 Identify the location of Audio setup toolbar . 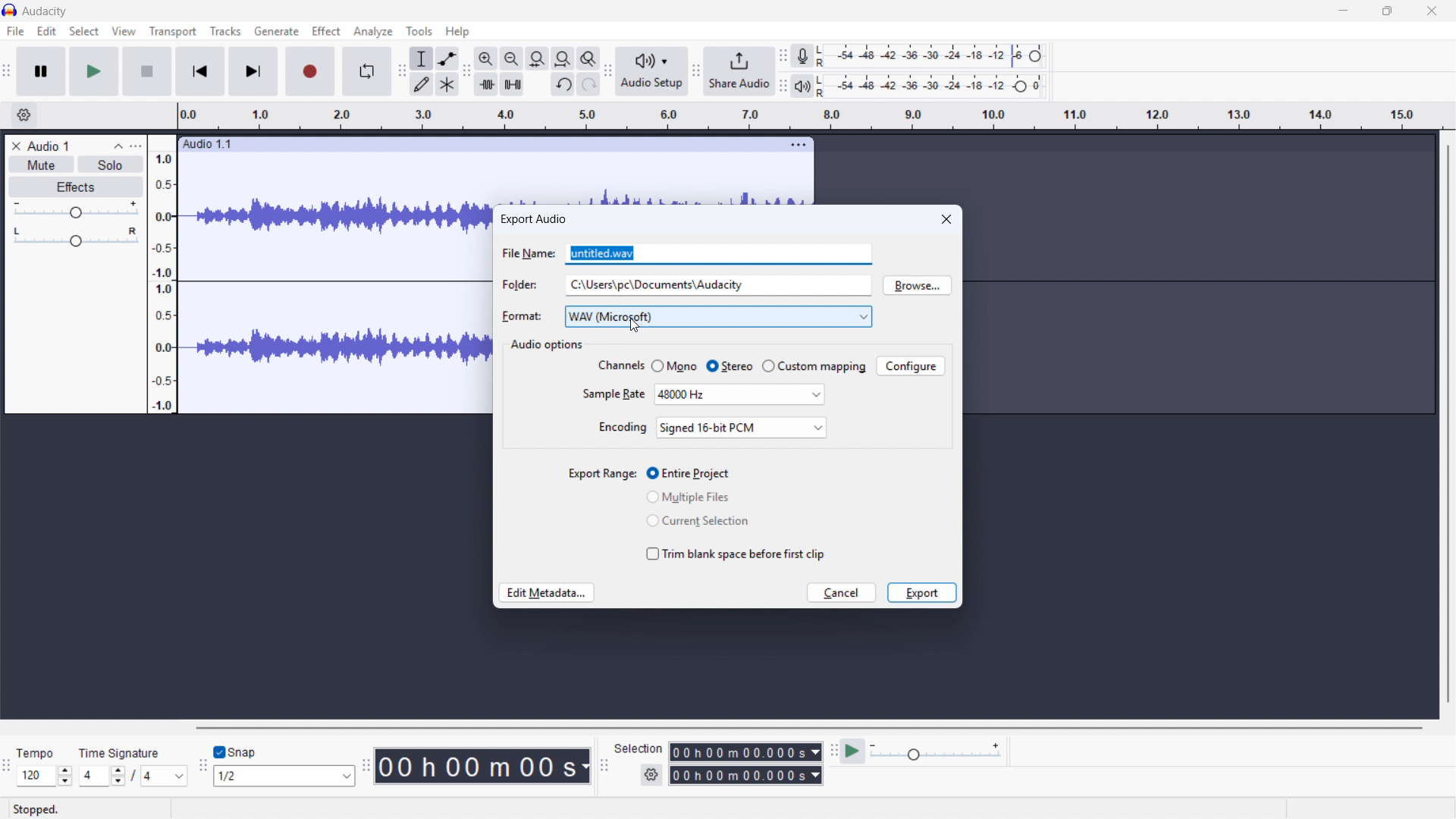
(607, 73).